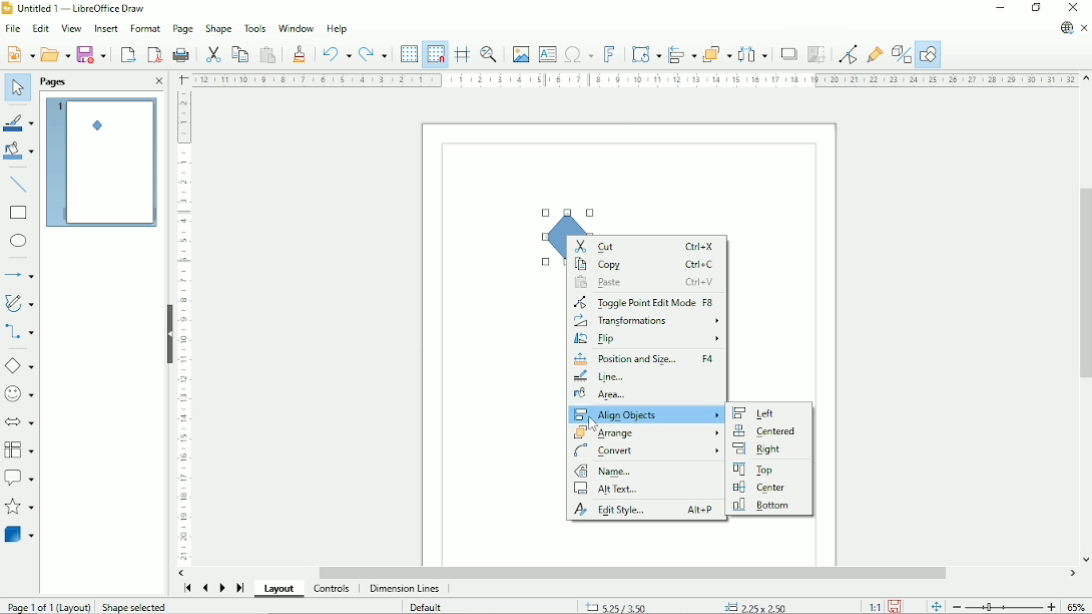 The height and width of the screenshot is (614, 1092). I want to click on Shadow, so click(788, 53).